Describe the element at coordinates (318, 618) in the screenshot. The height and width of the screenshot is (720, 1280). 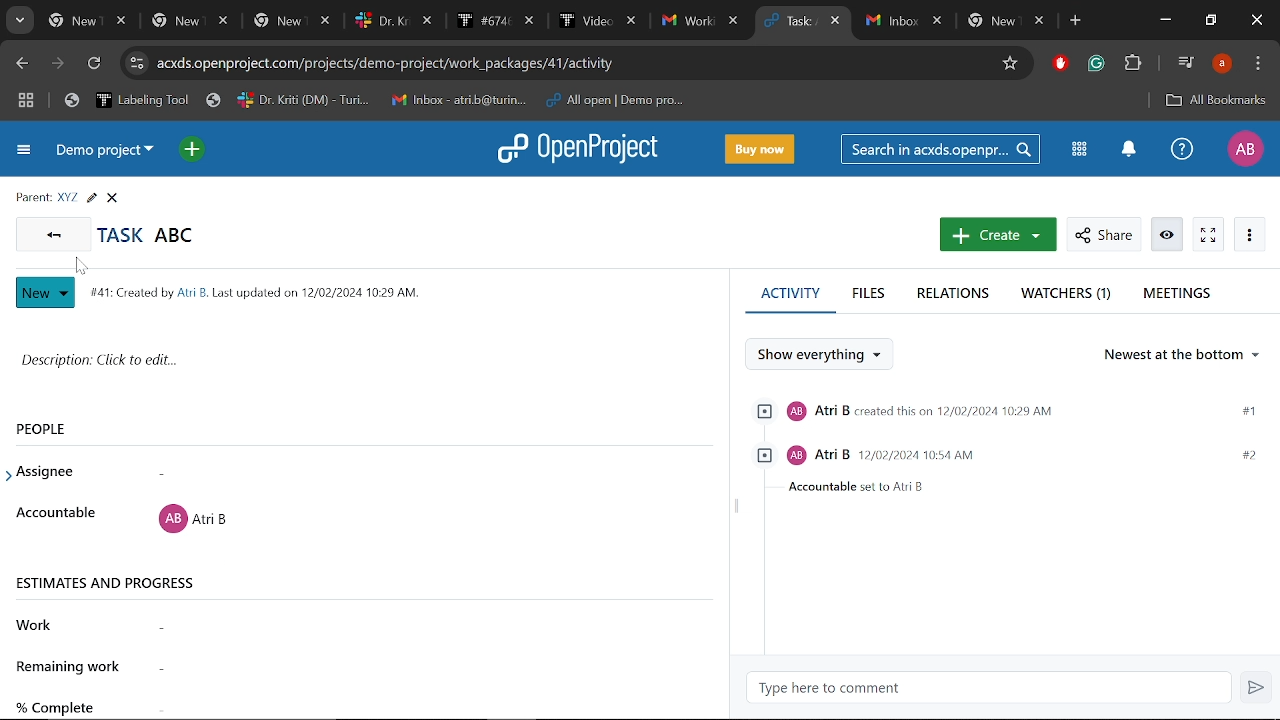
I see `Work` at that location.